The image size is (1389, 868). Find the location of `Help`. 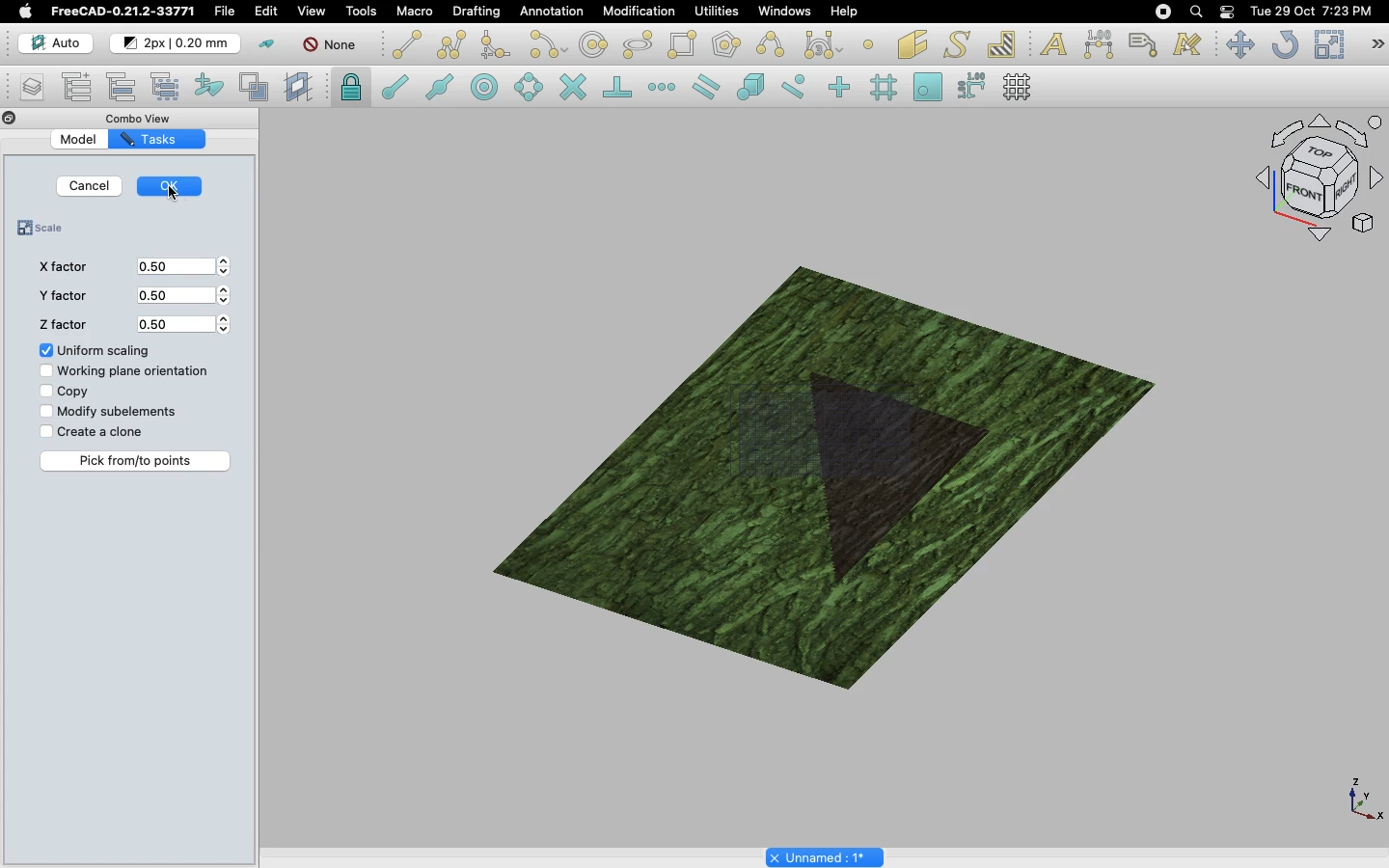

Help is located at coordinates (845, 10).